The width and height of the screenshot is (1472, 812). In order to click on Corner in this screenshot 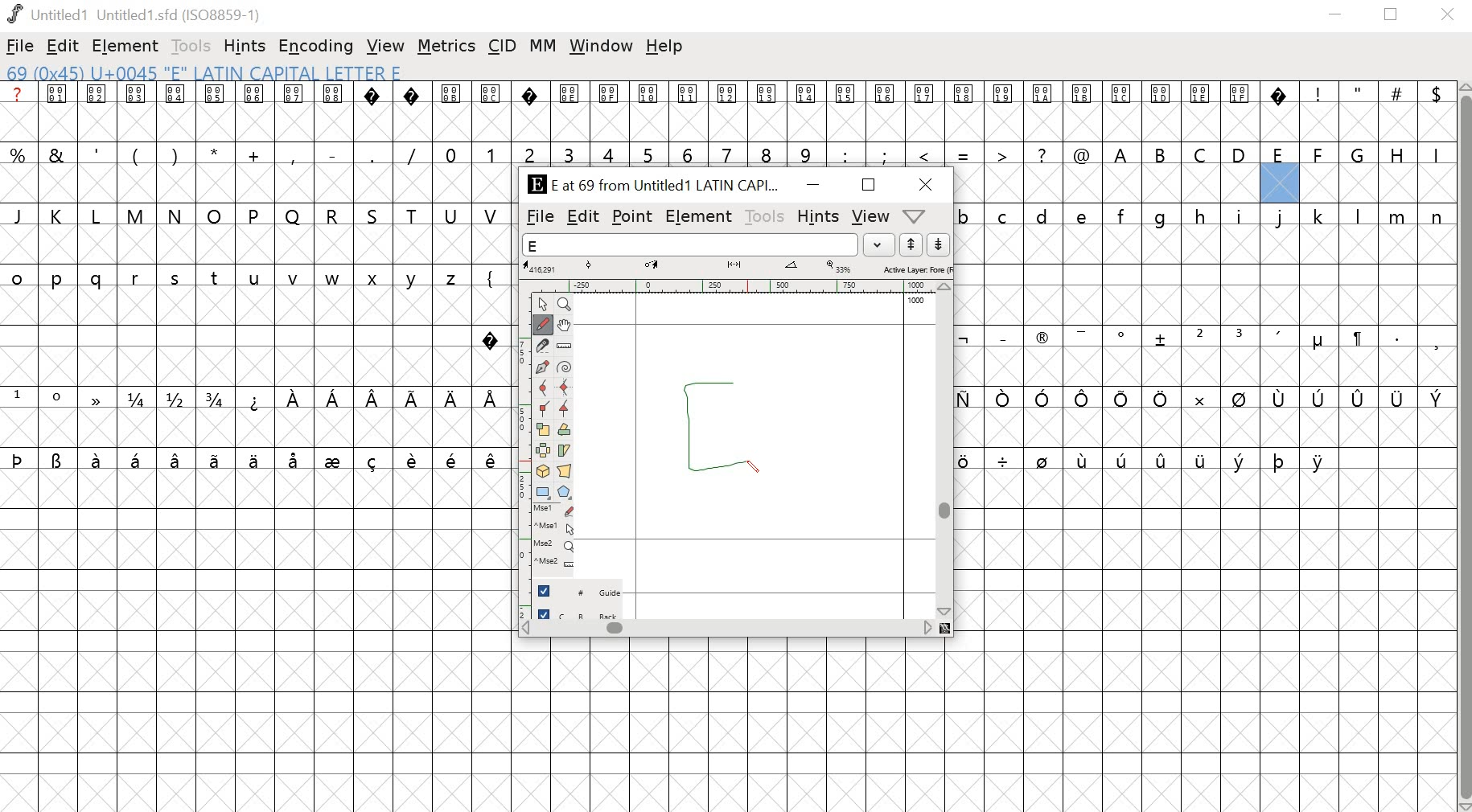, I will do `click(543, 409)`.